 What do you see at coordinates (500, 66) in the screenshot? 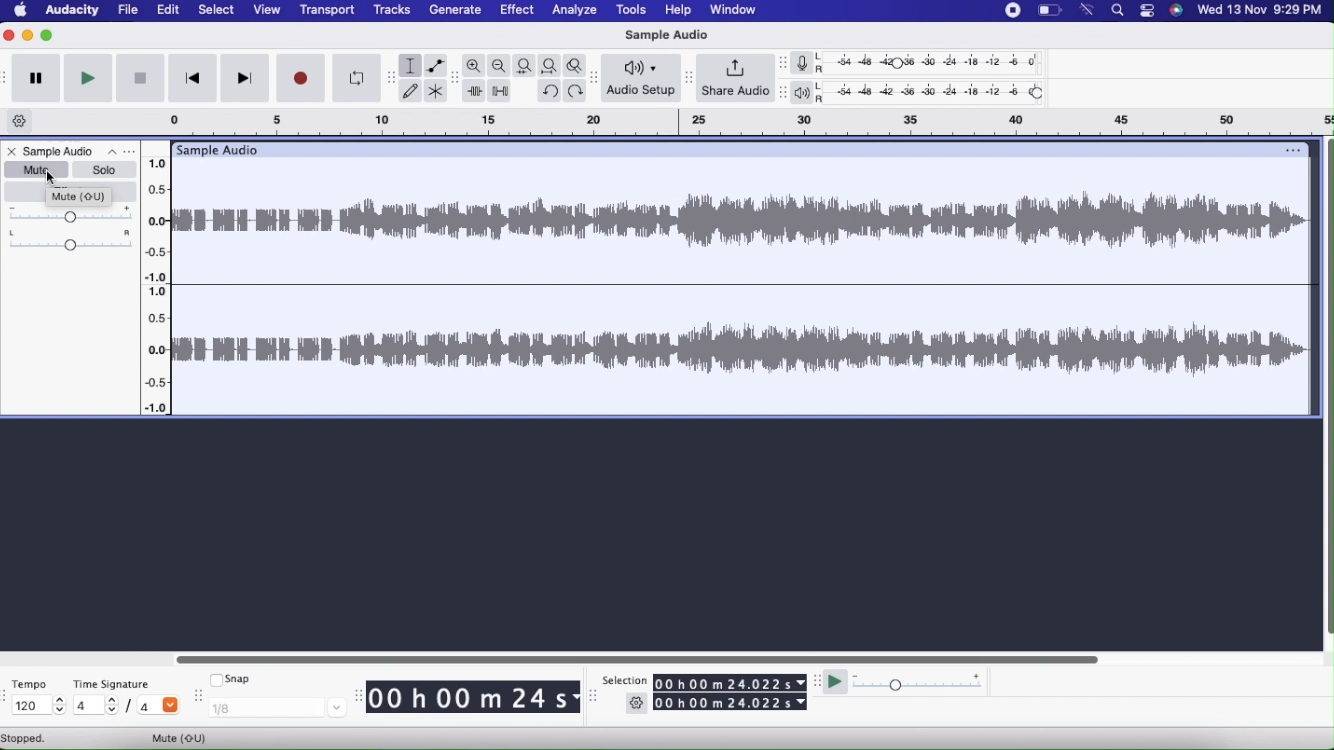
I see `Zoom out` at bounding box center [500, 66].